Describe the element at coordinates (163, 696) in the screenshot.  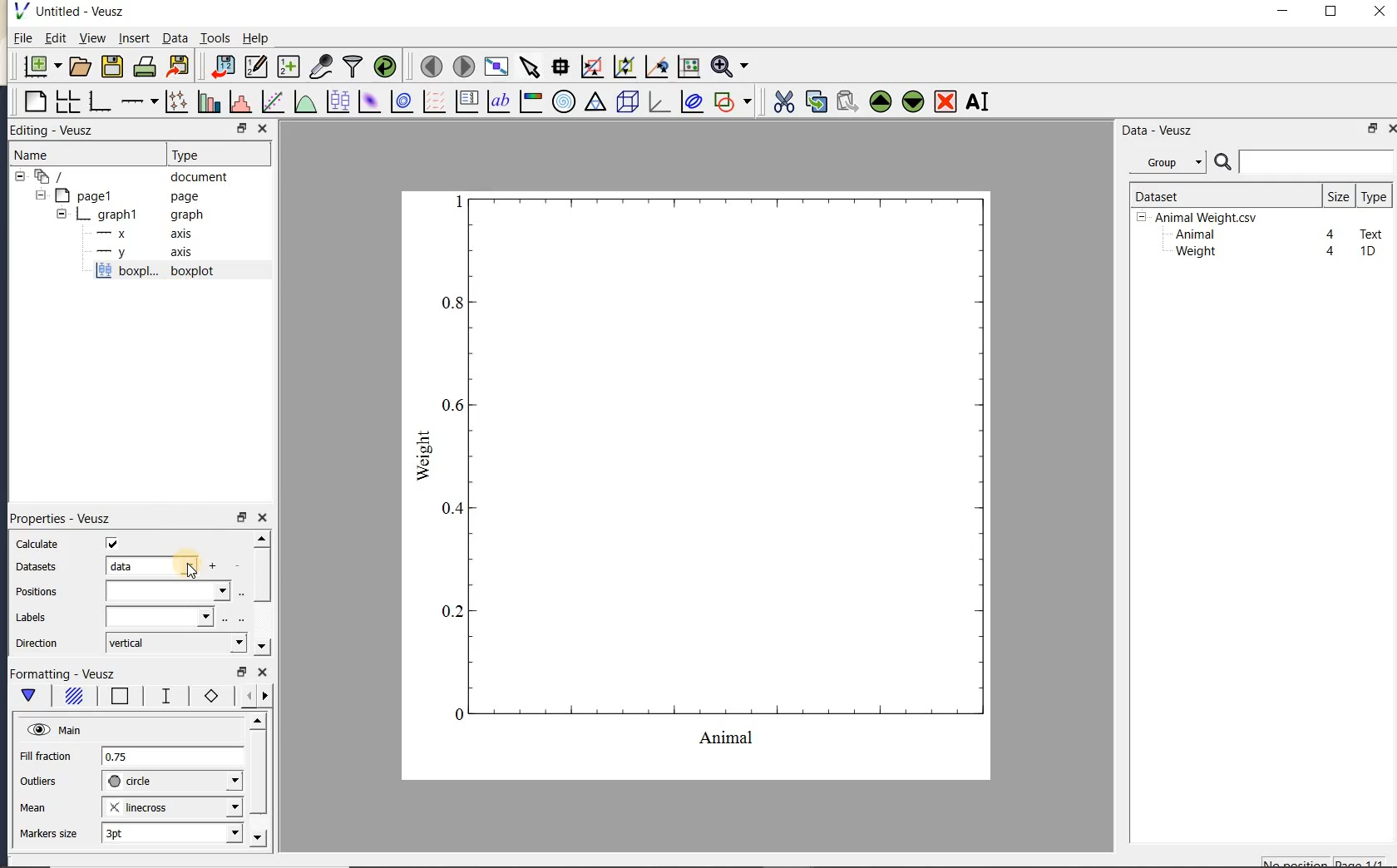
I see `whisker line` at that location.